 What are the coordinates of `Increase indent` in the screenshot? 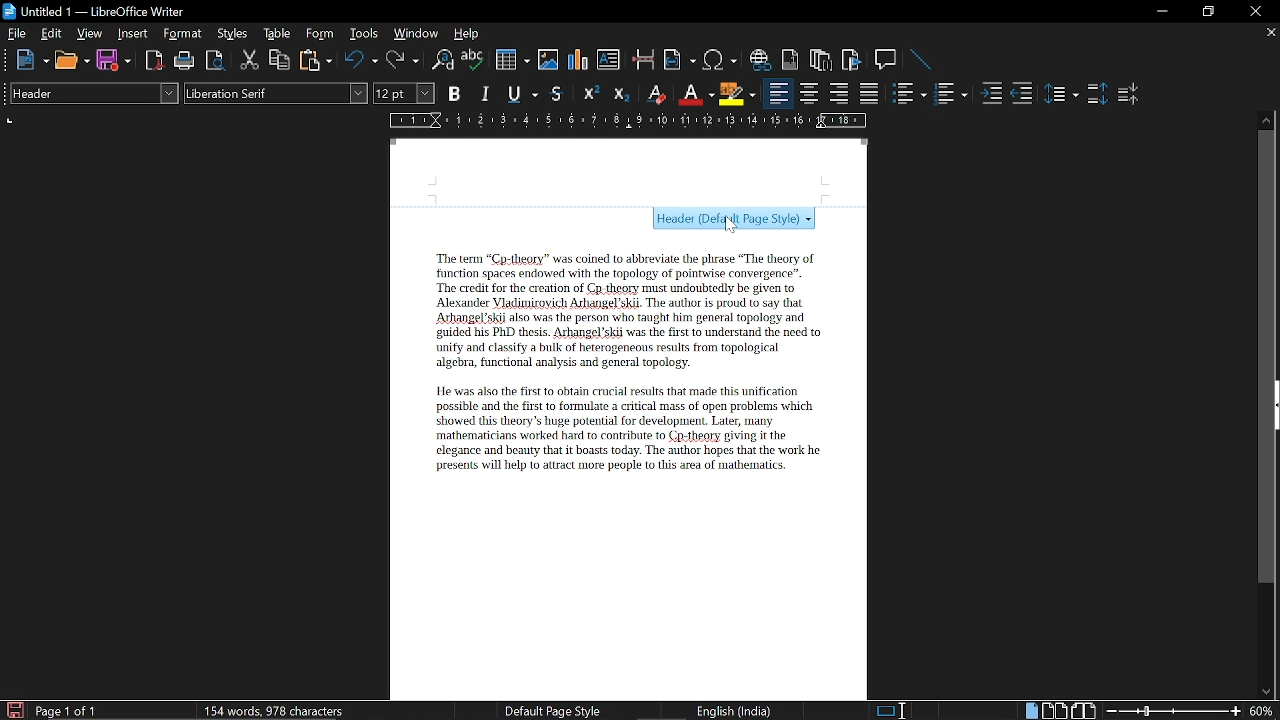 It's located at (990, 93).